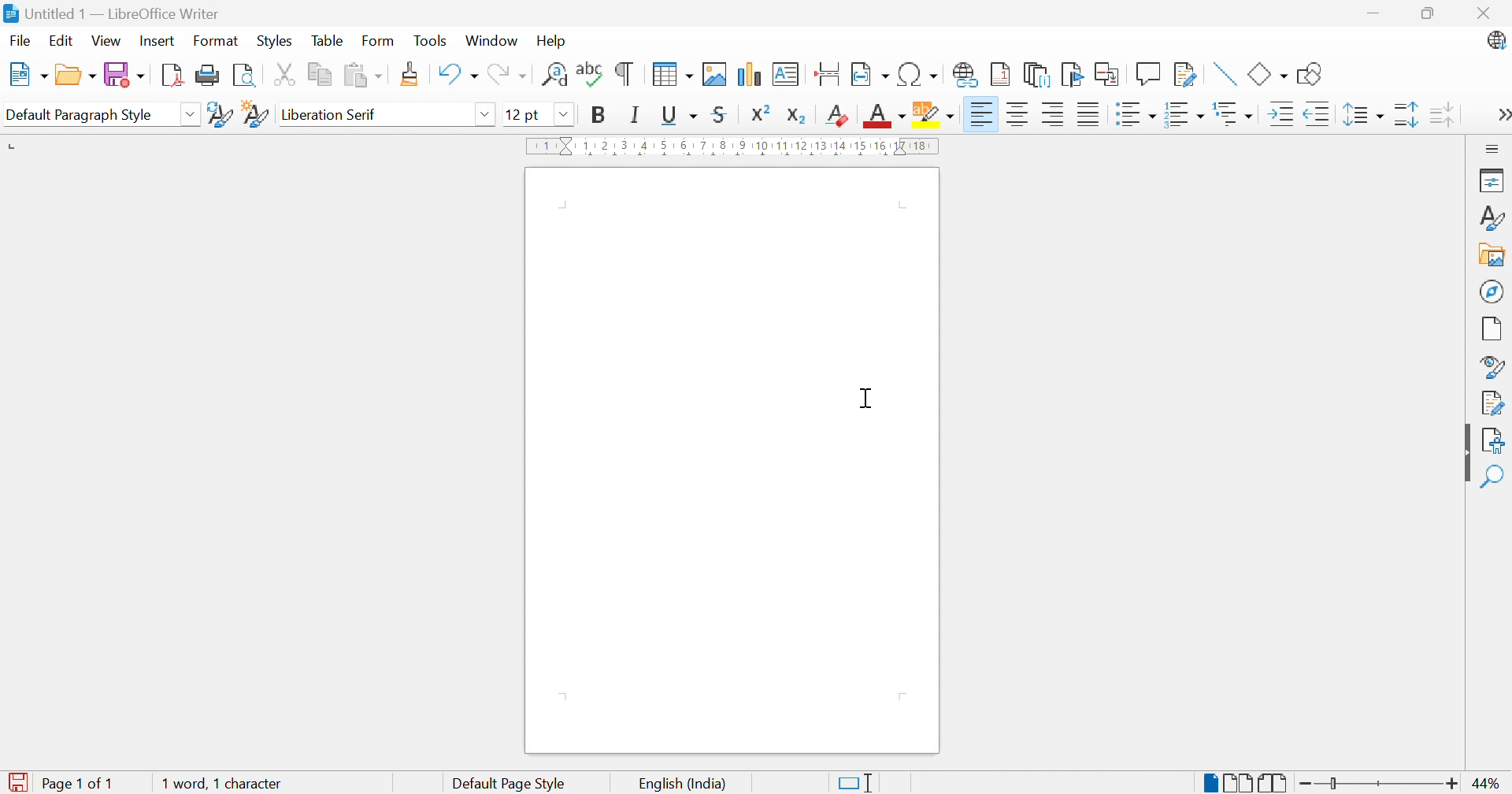 This screenshot has height=794, width=1512. What do you see at coordinates (1187, 117) in the screenshot?
I see `Toggle ordered list` at bounding box center [1187, 117].